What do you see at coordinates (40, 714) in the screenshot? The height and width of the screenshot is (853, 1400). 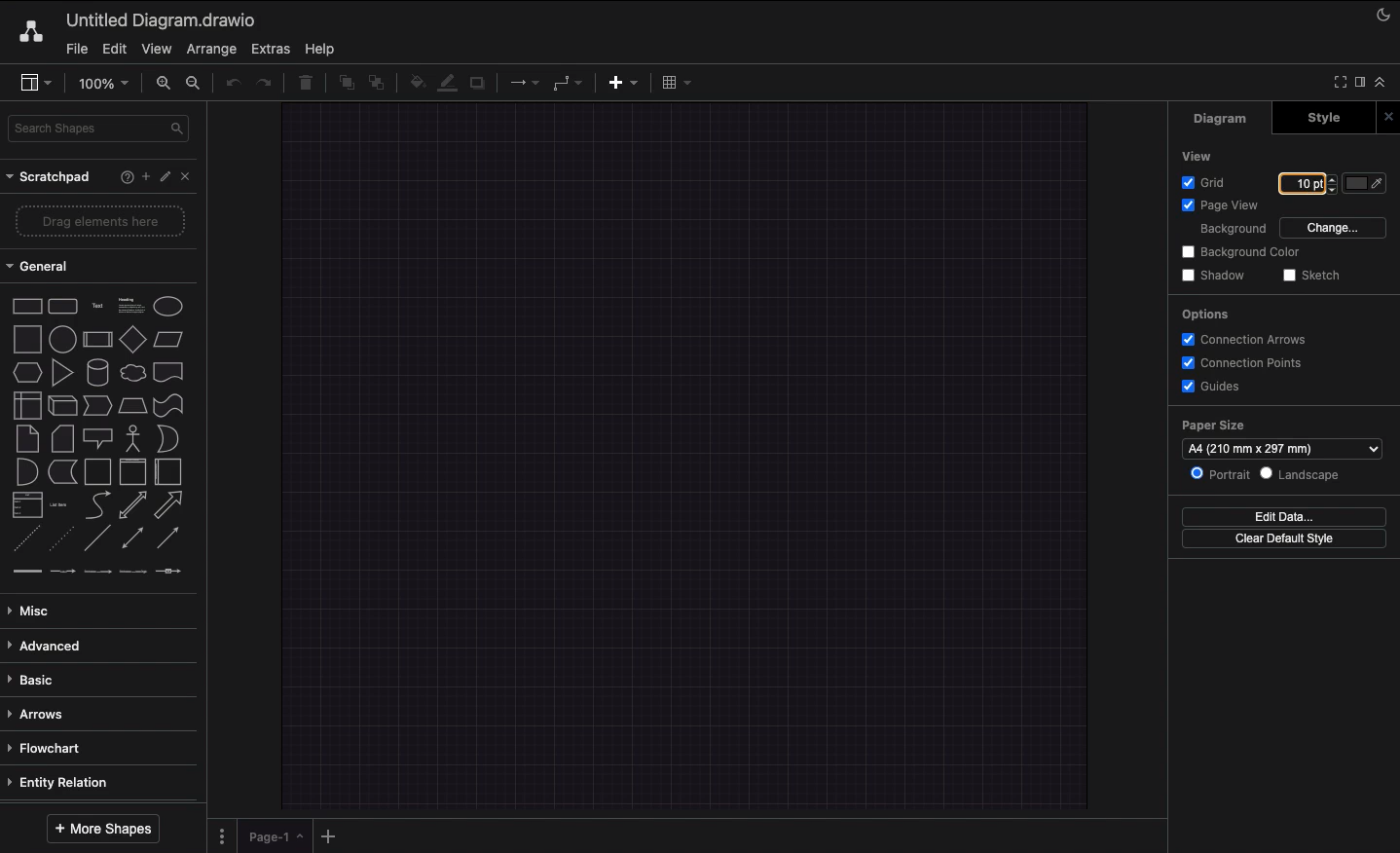 I see `Arrows` at bounding box center [40, 714].